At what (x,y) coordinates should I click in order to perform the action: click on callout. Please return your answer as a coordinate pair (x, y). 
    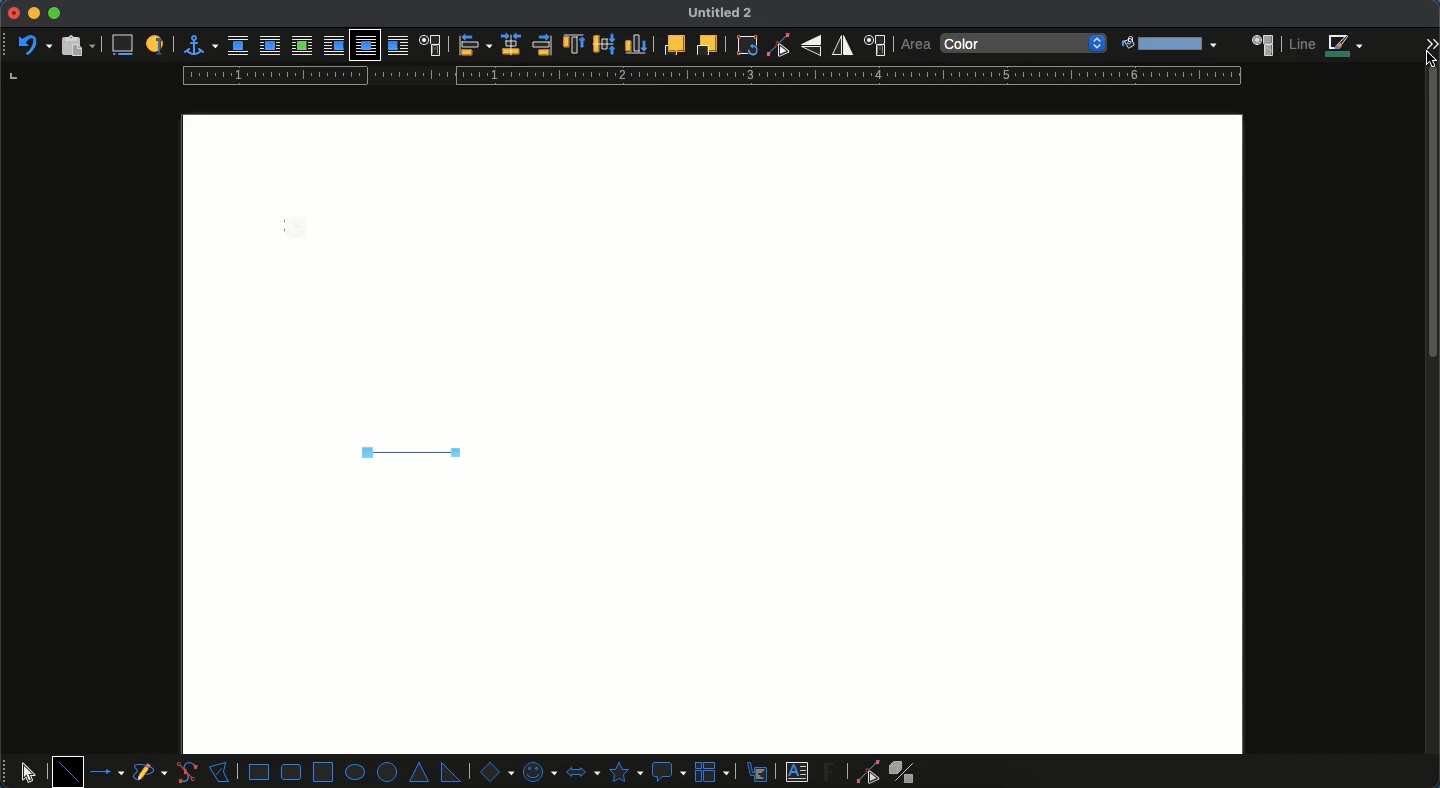
    Looking at the image, I should click on (668, 772).